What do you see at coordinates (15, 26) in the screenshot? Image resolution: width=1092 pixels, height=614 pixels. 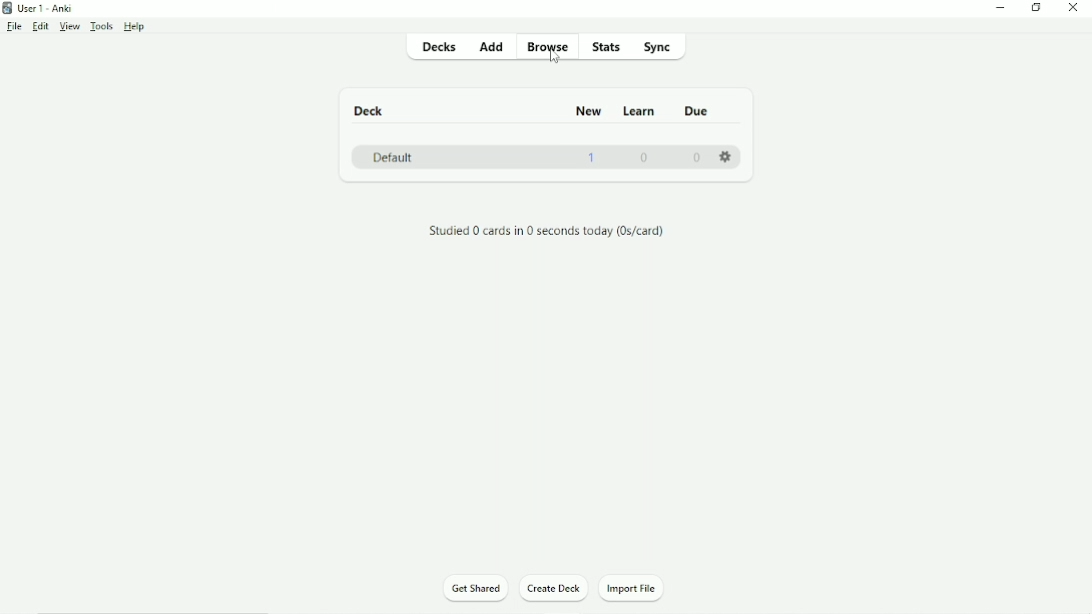 I see `File` at bounding box center [15, 26].